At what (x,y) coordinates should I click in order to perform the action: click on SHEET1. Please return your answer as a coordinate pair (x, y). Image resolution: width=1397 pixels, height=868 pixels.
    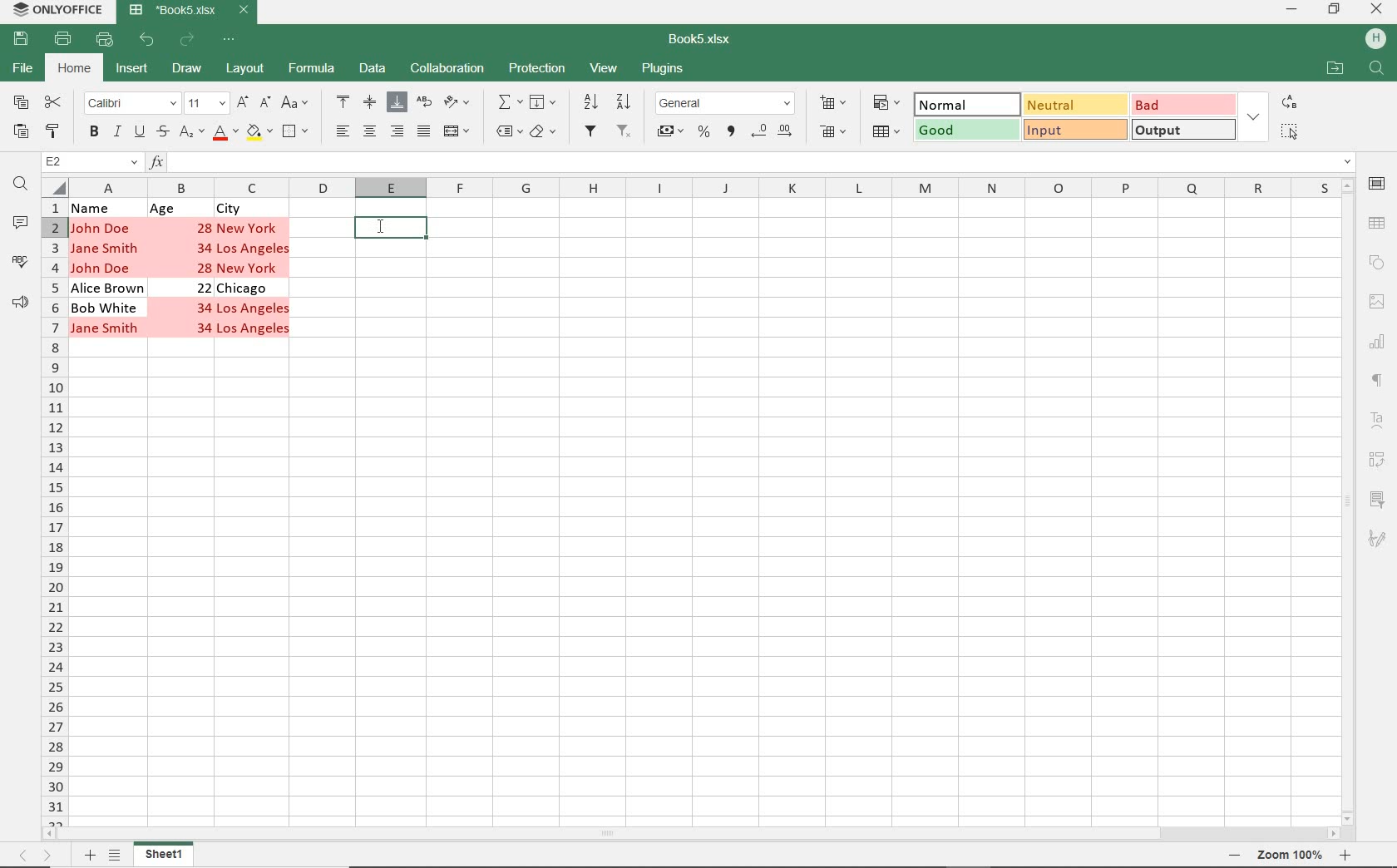
    Looking at the image, I should click on (165, 856).